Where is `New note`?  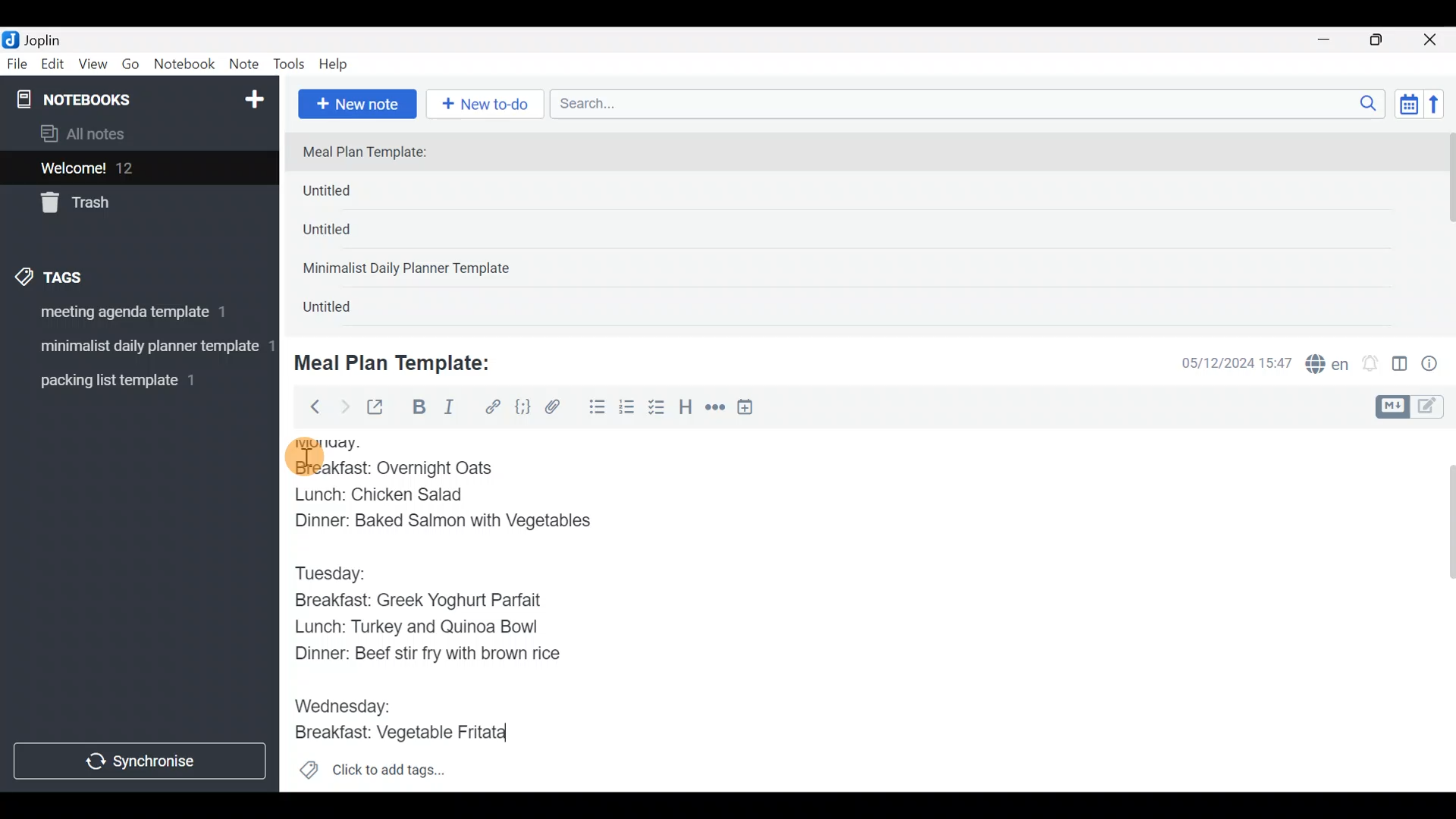 New note is located at coordinates (356, 102).